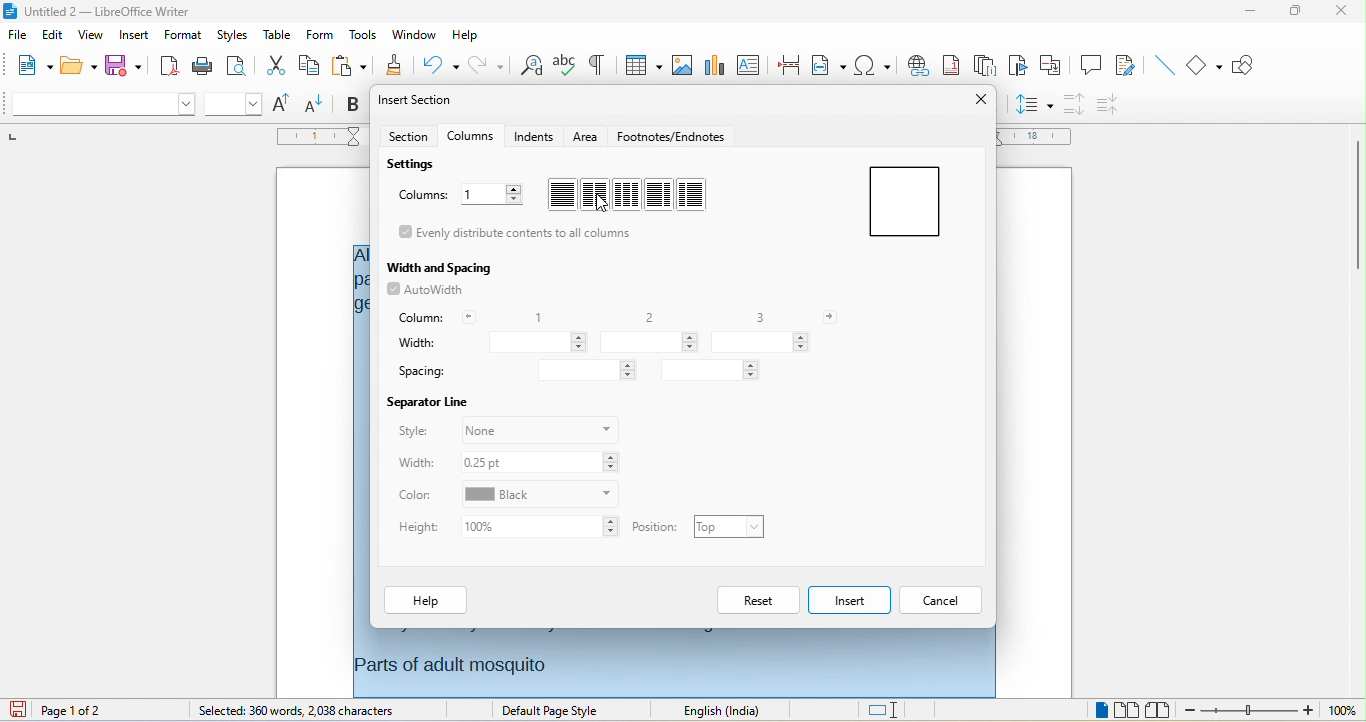 The height and width of the screenshot is (722, 1366). Describe the element at coordinates (539, 495) in the screenshot. I see `set colour` at that location.